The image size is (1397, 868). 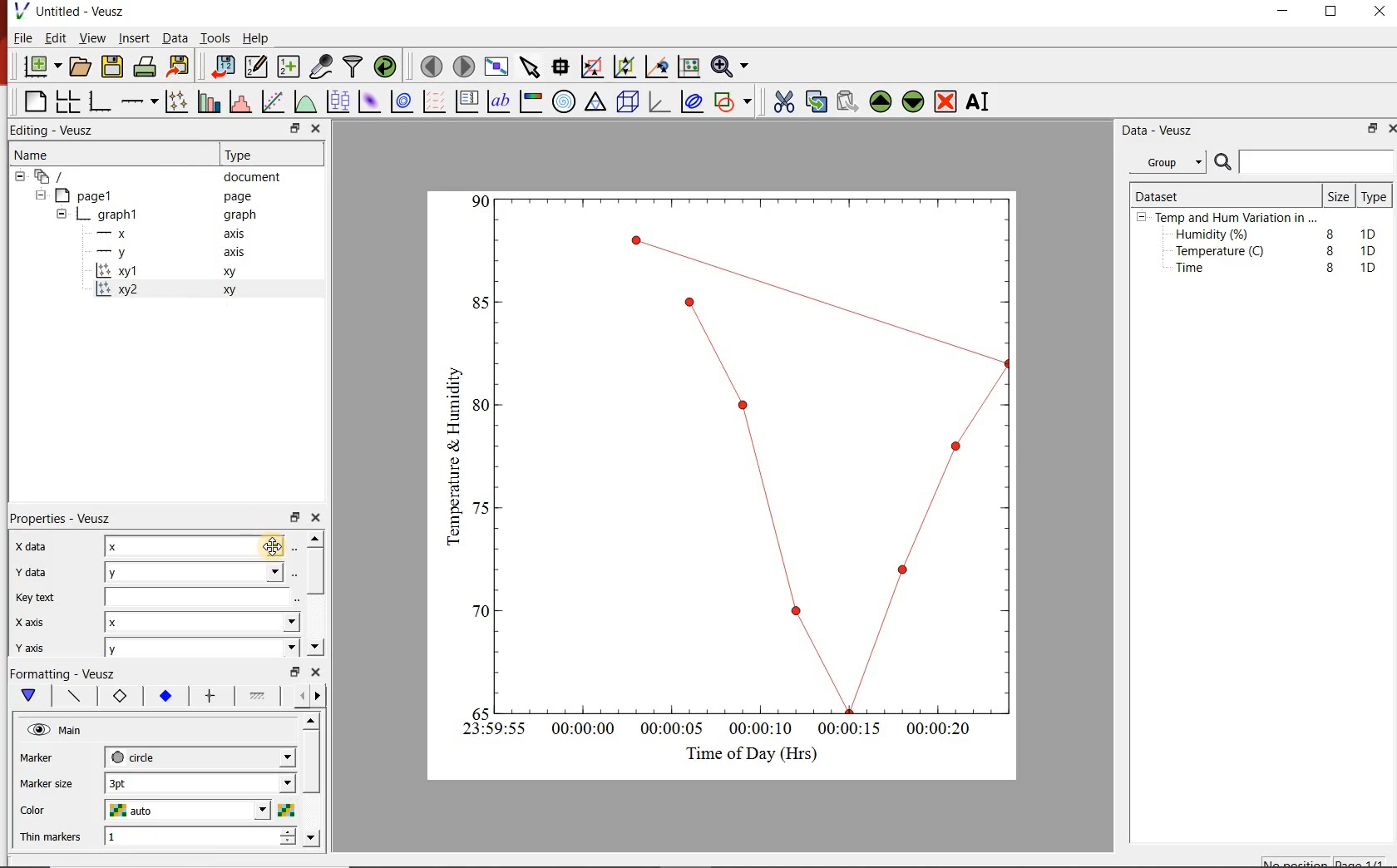 What do you see at coordinates (18, 179) in the screenshot?
I see `hide sub menu` at bounding box center [18, 179].